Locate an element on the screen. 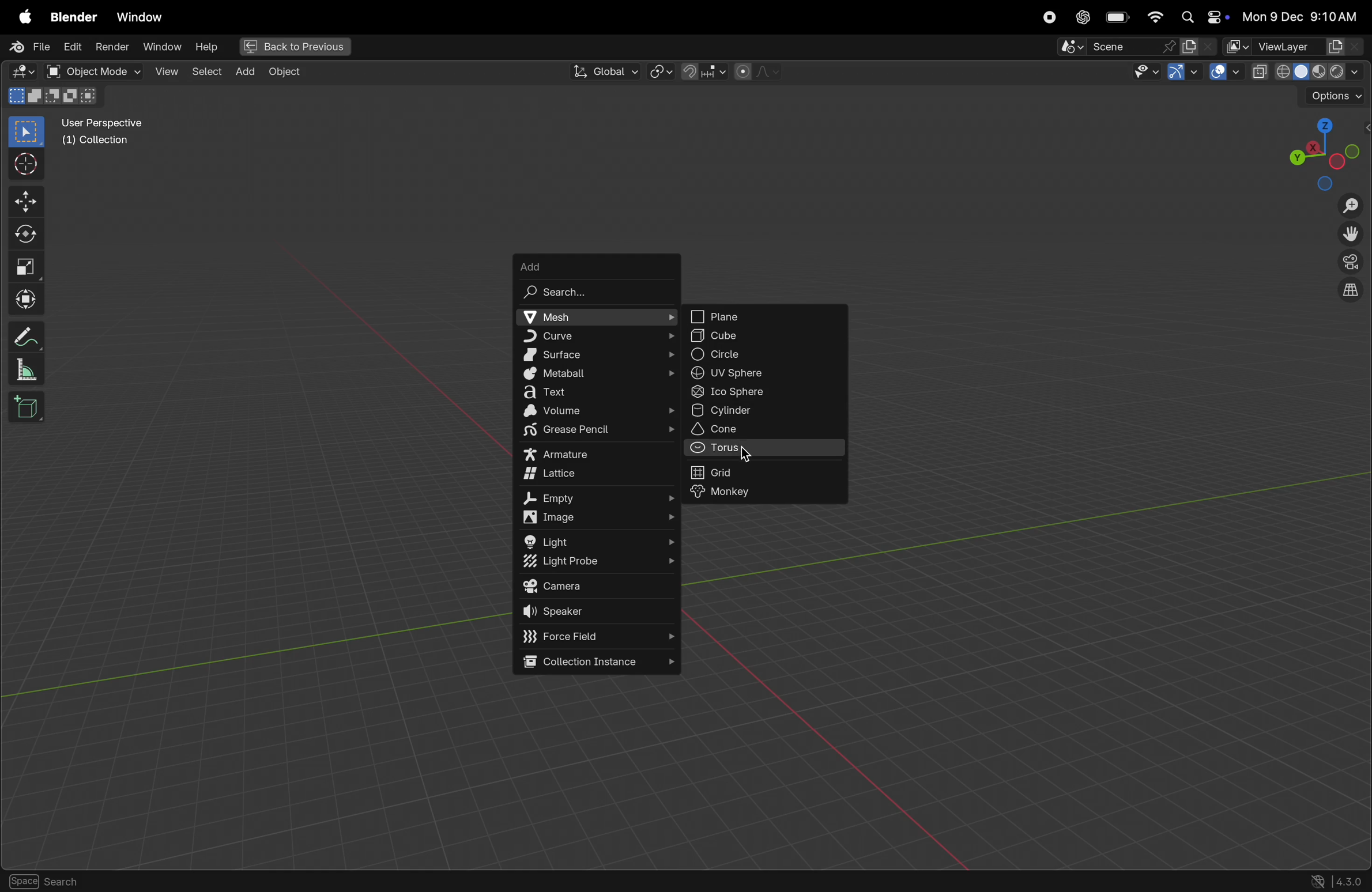 Image resolution: width=1372 pixels, height=892 pixels. monkey is located at coordinates (768, 493).